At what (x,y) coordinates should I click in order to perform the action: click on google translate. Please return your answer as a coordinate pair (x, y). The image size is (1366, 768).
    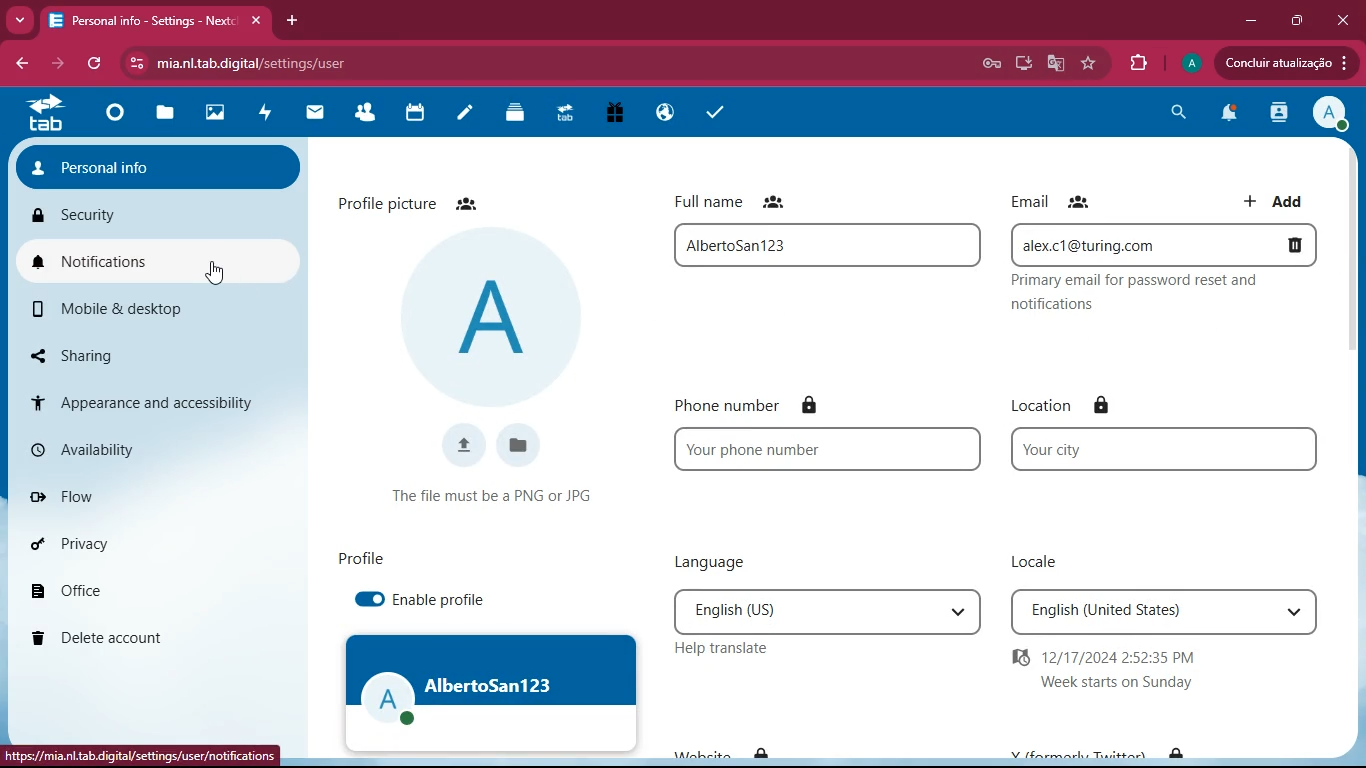
    Looking at the image, I should click on (1054, 66).